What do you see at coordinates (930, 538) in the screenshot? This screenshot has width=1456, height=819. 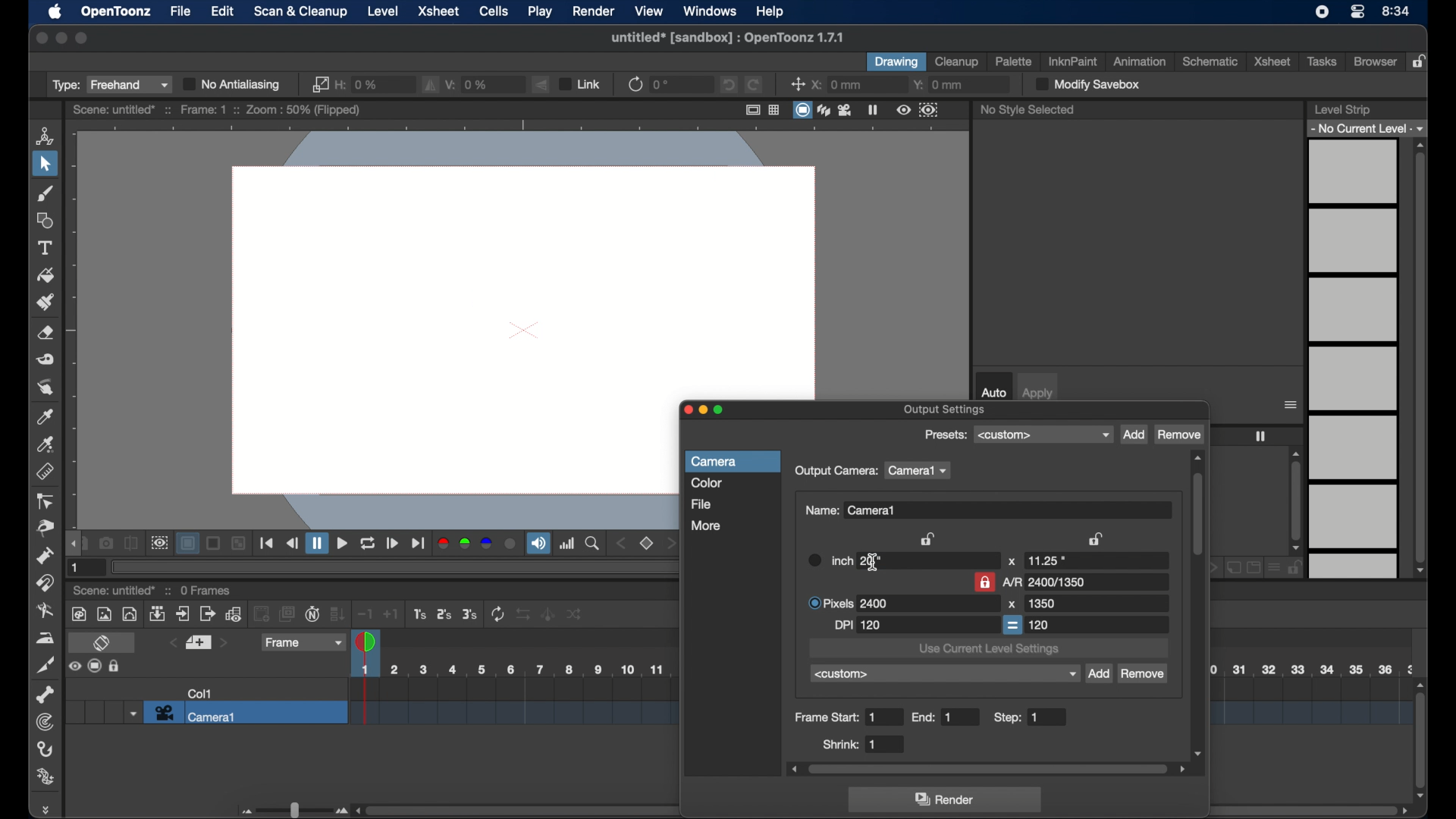 I see `lock` at bounding box center [930, 538].